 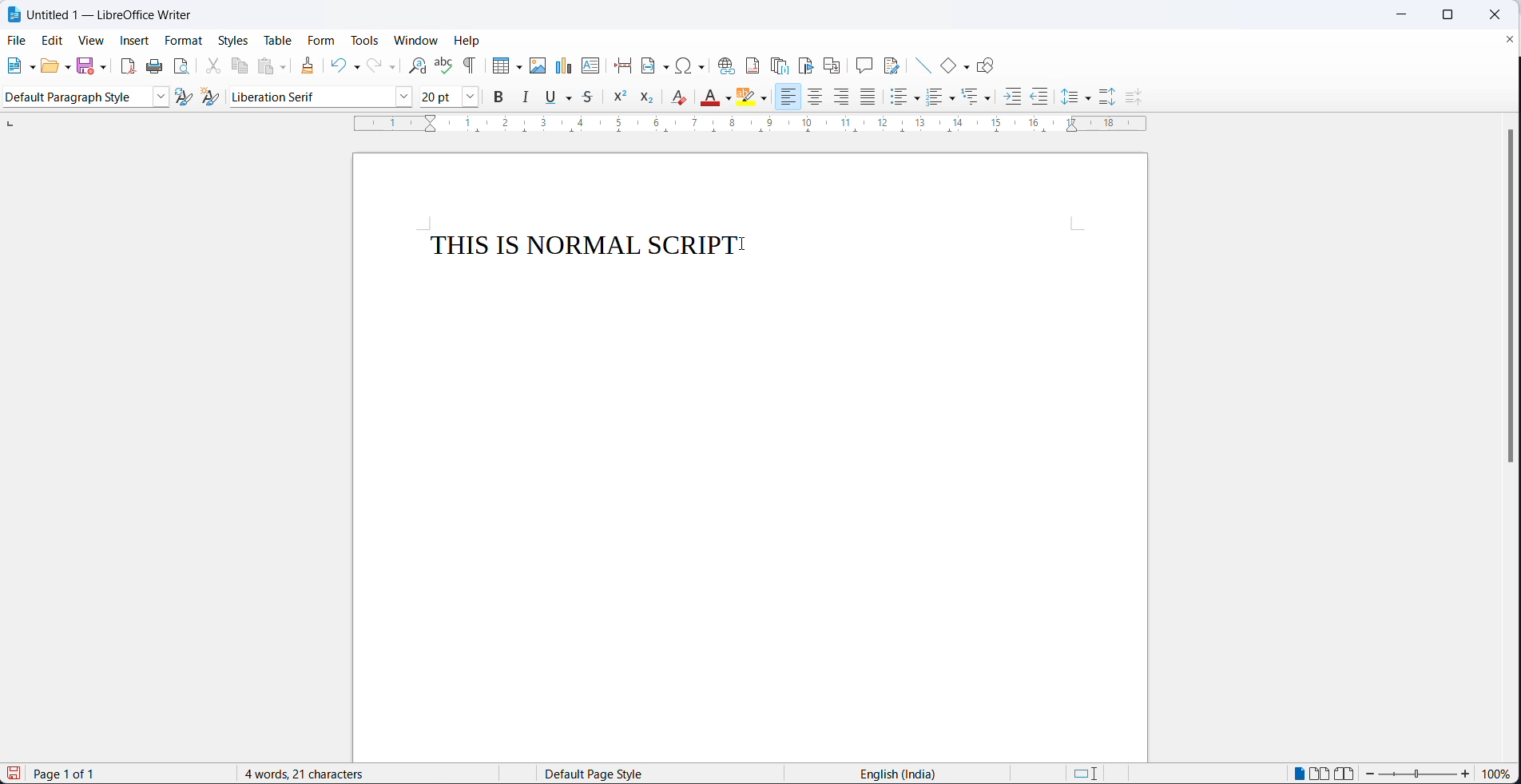 What do you see at coordinates (808, 65) in the screenshot?
I see `insert bookmark` at bounding box center [808, 65].